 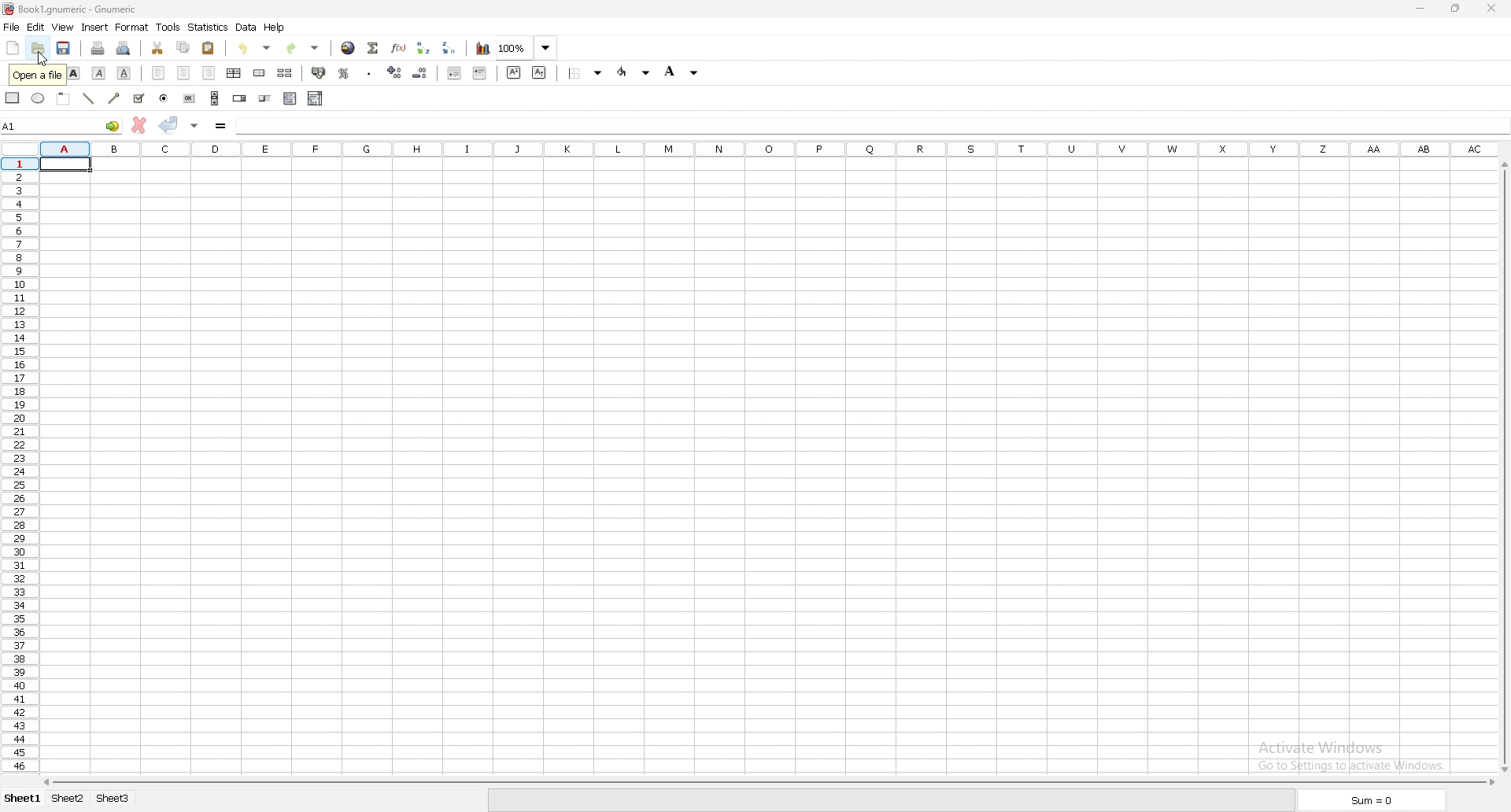 What do you see at coordinates (1366, 800) in the screenshot?
I see `sum=0` at bounding box center [1366, 800].